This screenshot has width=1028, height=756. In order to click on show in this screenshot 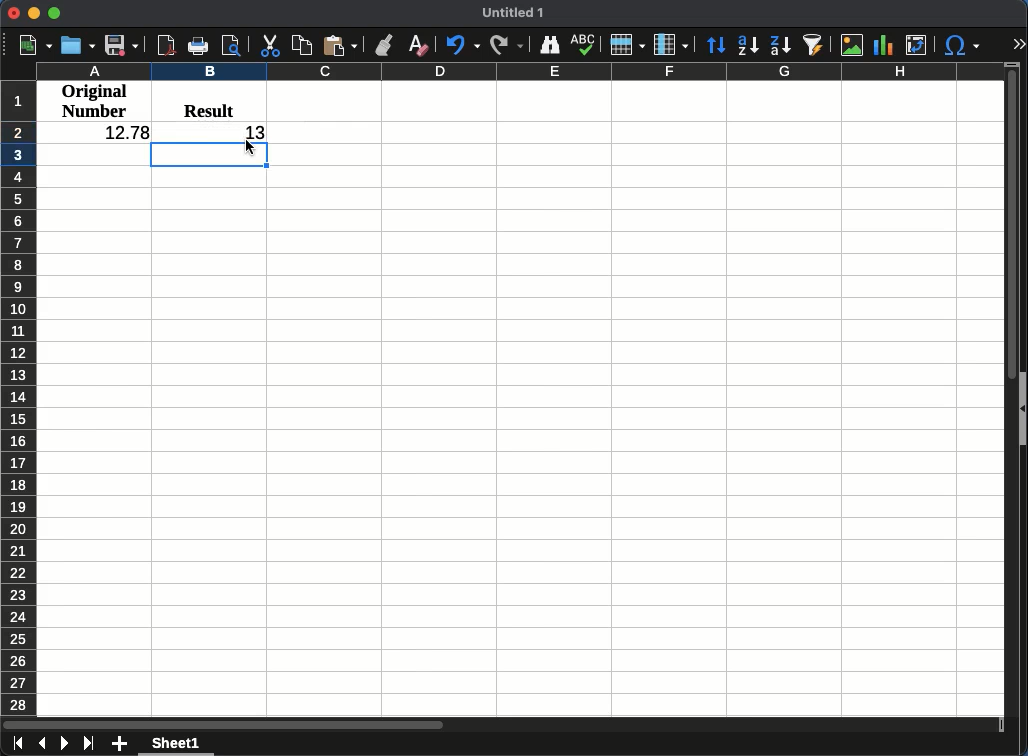, I will do `click(1022, 413)`.